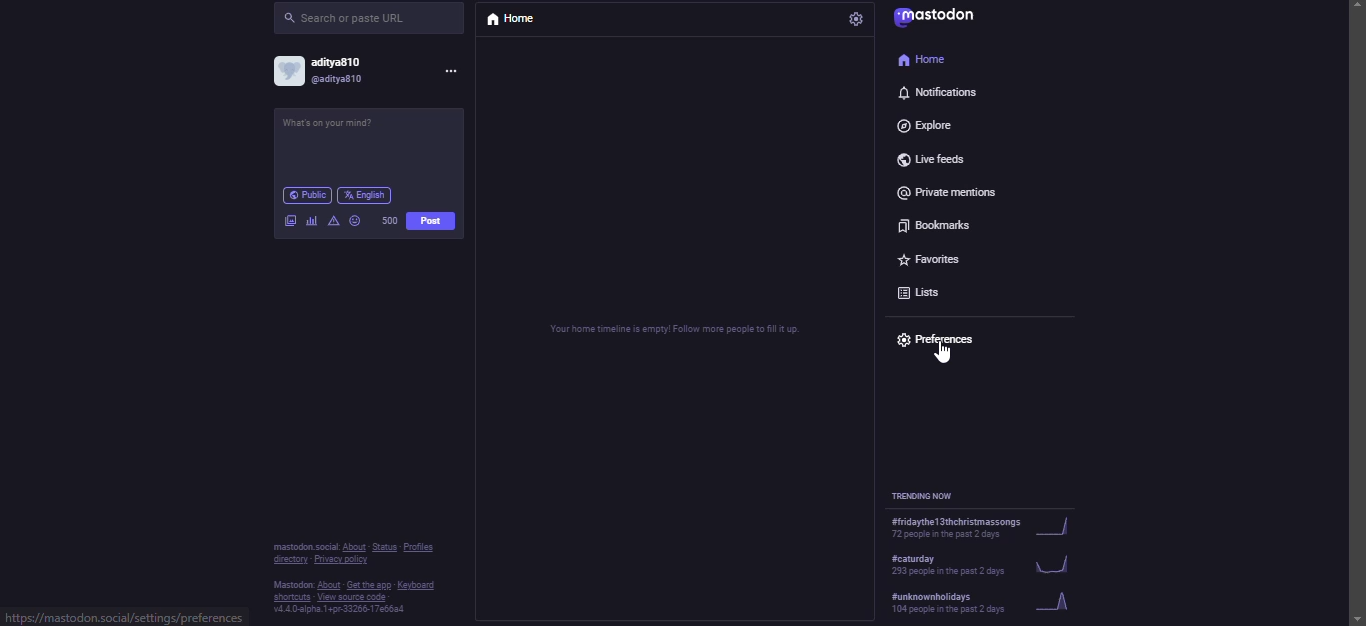 This screenshot has height=626, width=1366. What do you see at coordinates (926, 293) in the screenshot?
I see `lists` at bounding box center [926, 293].